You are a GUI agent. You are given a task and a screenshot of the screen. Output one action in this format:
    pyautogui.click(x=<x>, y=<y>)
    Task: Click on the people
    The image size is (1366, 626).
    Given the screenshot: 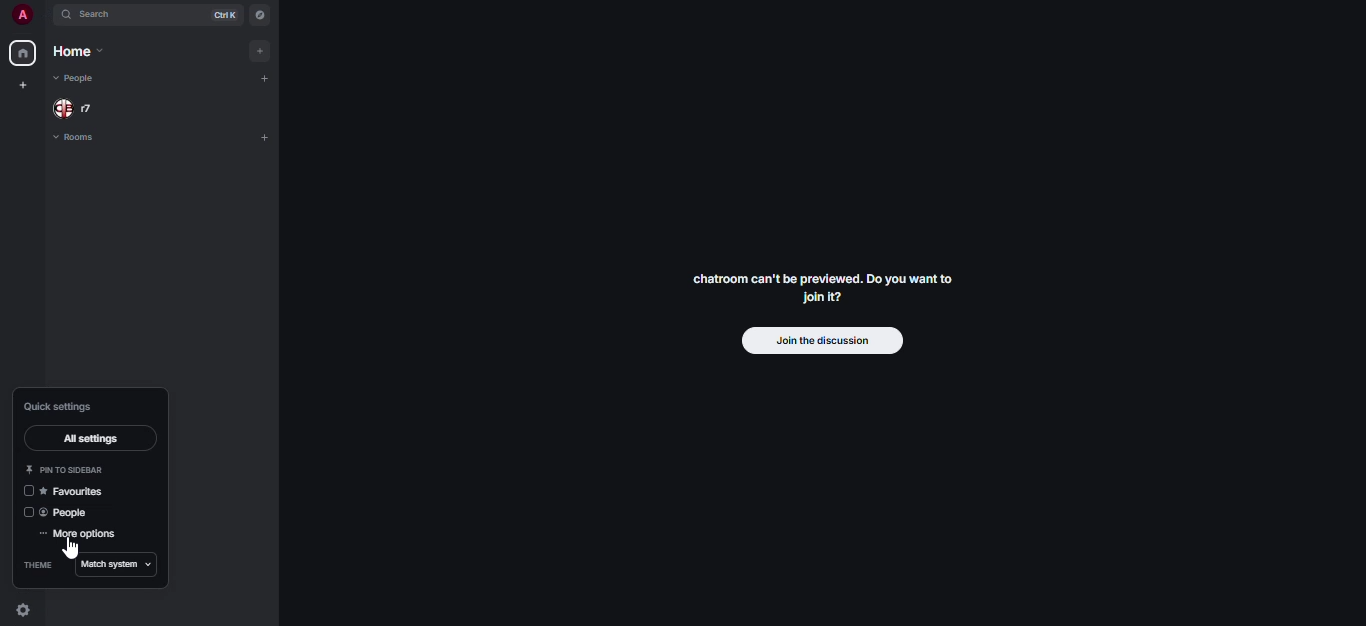 What is the action you would take?
    pyautogui.click(x=66, y=512)
    